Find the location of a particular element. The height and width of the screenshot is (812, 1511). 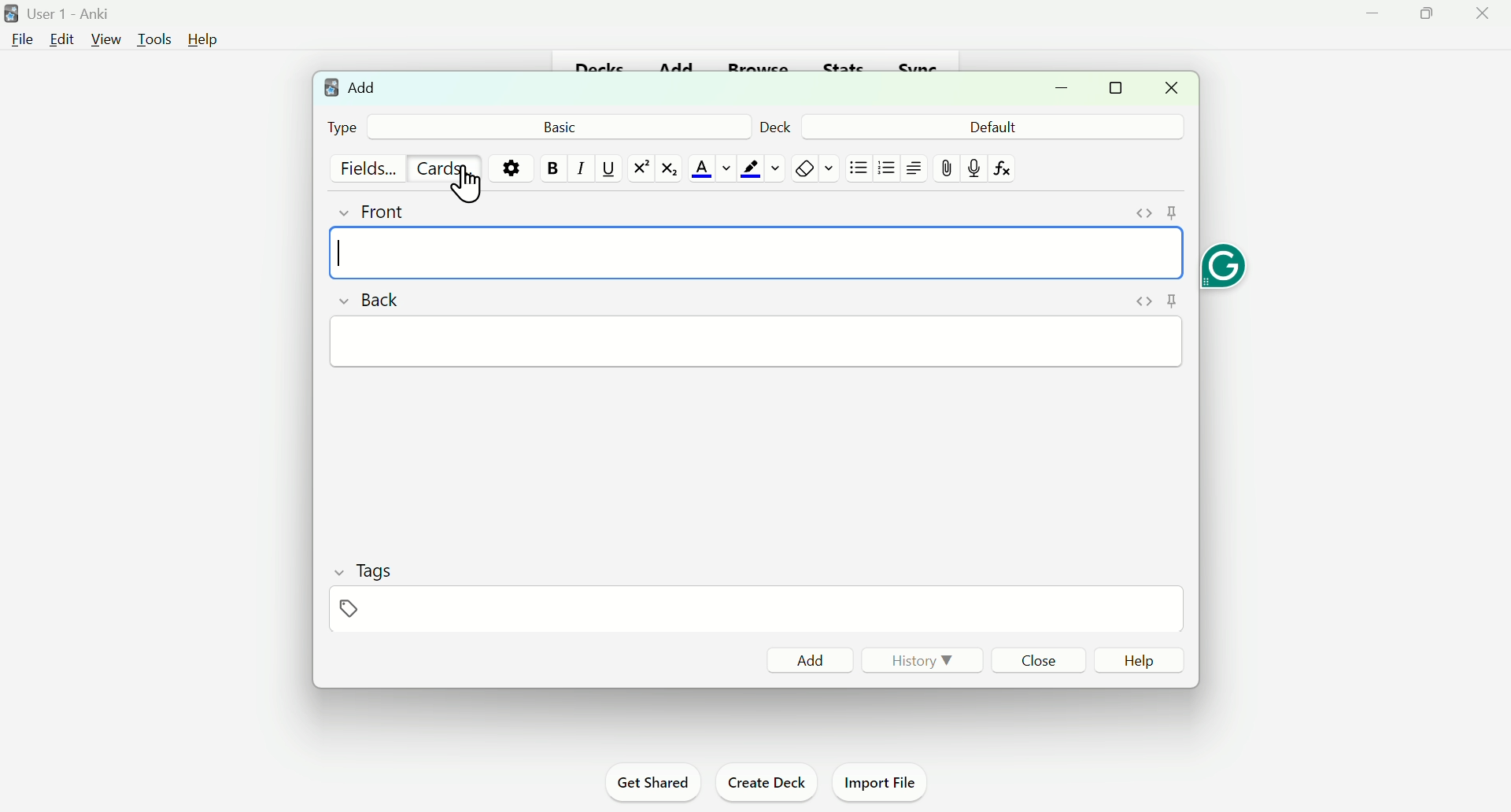

Type is located at coordinates (342, 126).